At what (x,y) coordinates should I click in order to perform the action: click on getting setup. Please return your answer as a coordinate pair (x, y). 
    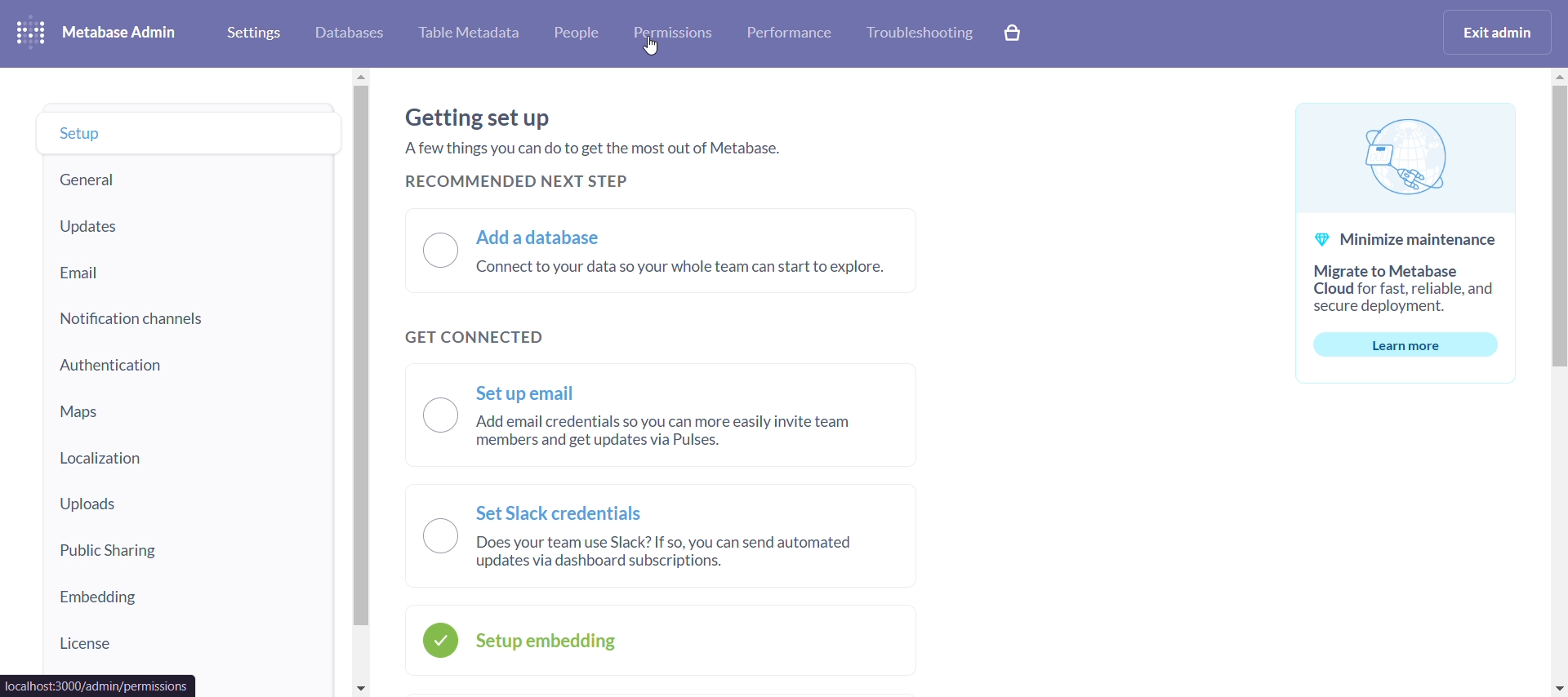
    Looking at the image, I should click on (482, 118).